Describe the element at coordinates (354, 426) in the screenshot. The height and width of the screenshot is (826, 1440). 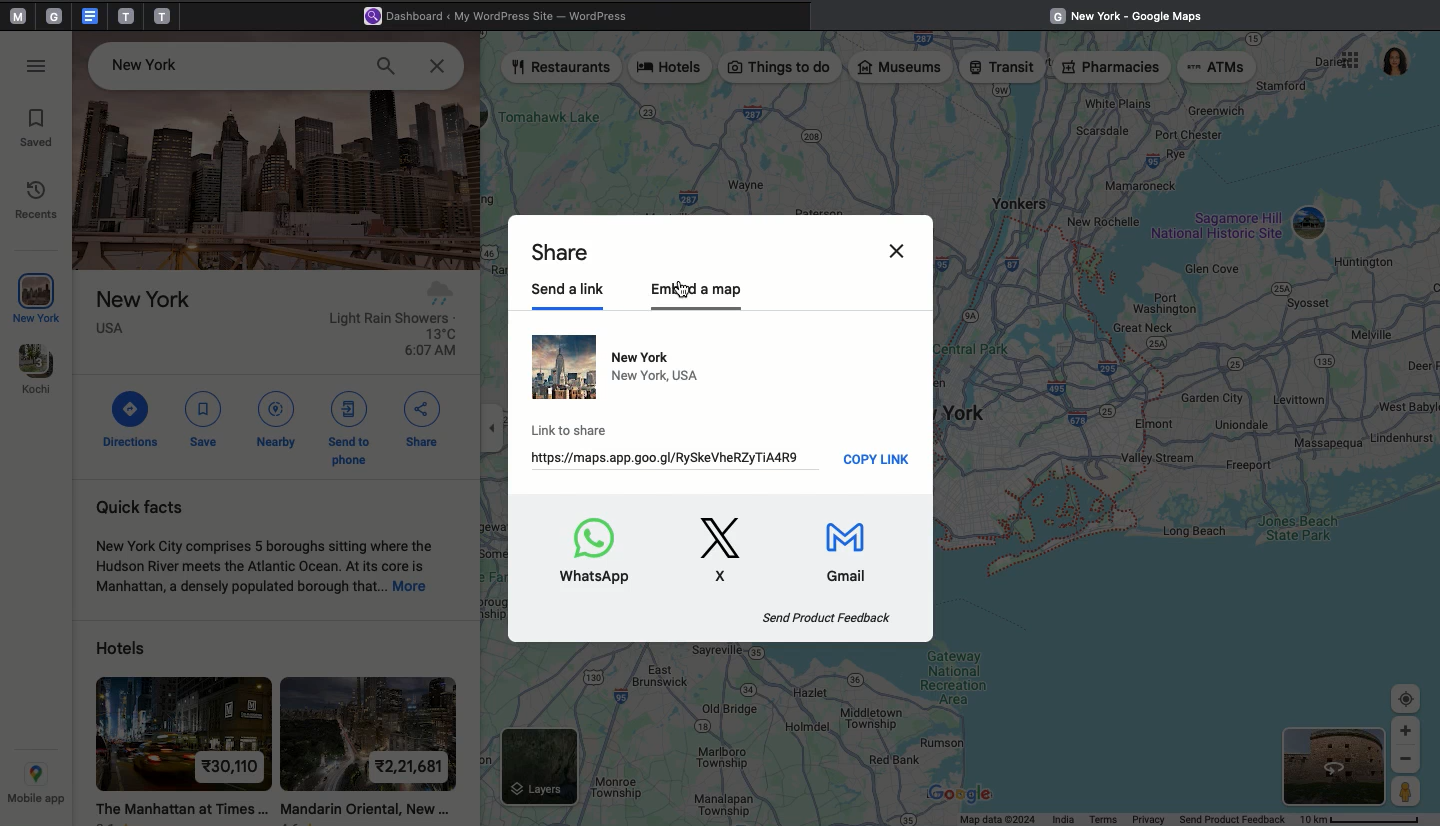
I see `Send to phone` at that location.